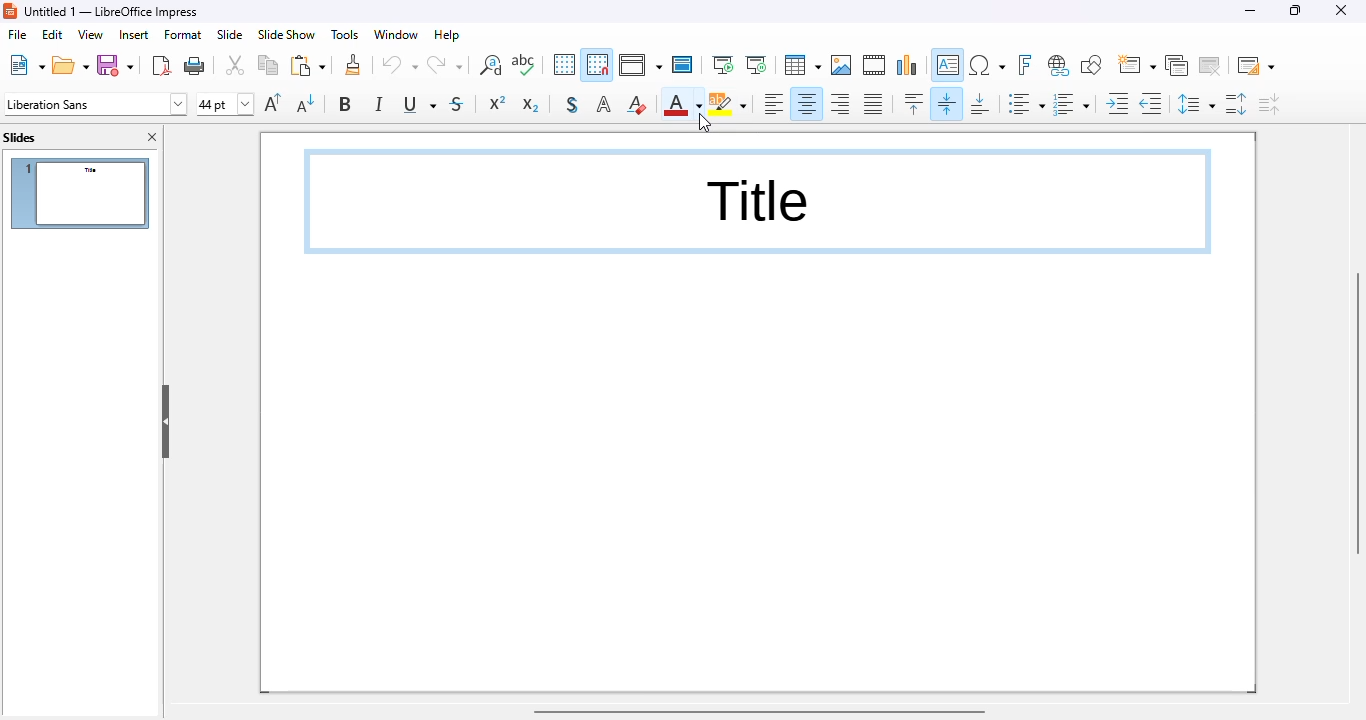 This screenshot has width=1366, height=720. Describe the element at coordinates (524, 64) in the screenshot. I see `spelling` at that location.